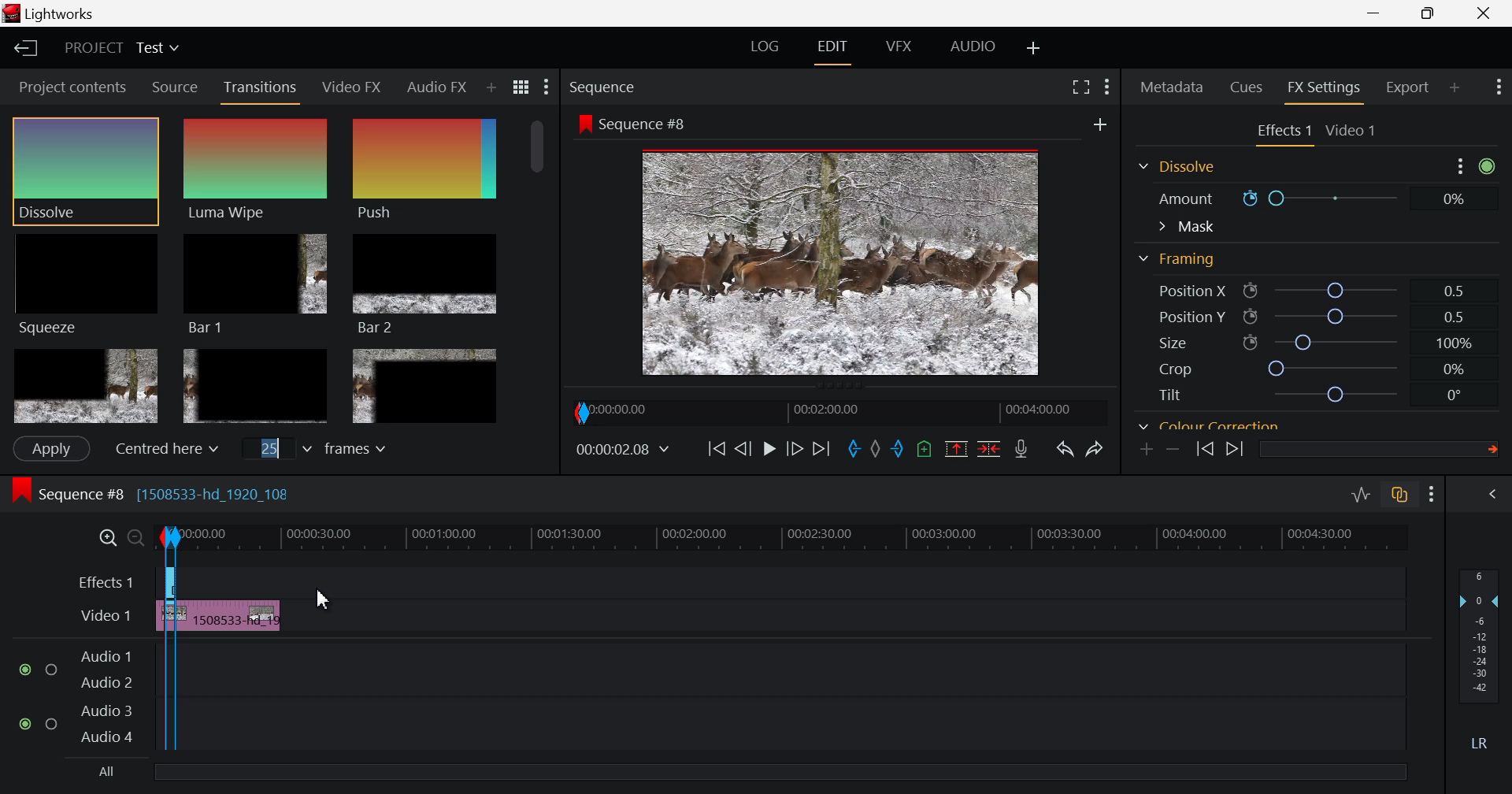 This screenshot has height=794, width=1512. What do you see at coordinates (84, 387) in the screenshot?
I see `Box 4` at bounding box center [84, 387].